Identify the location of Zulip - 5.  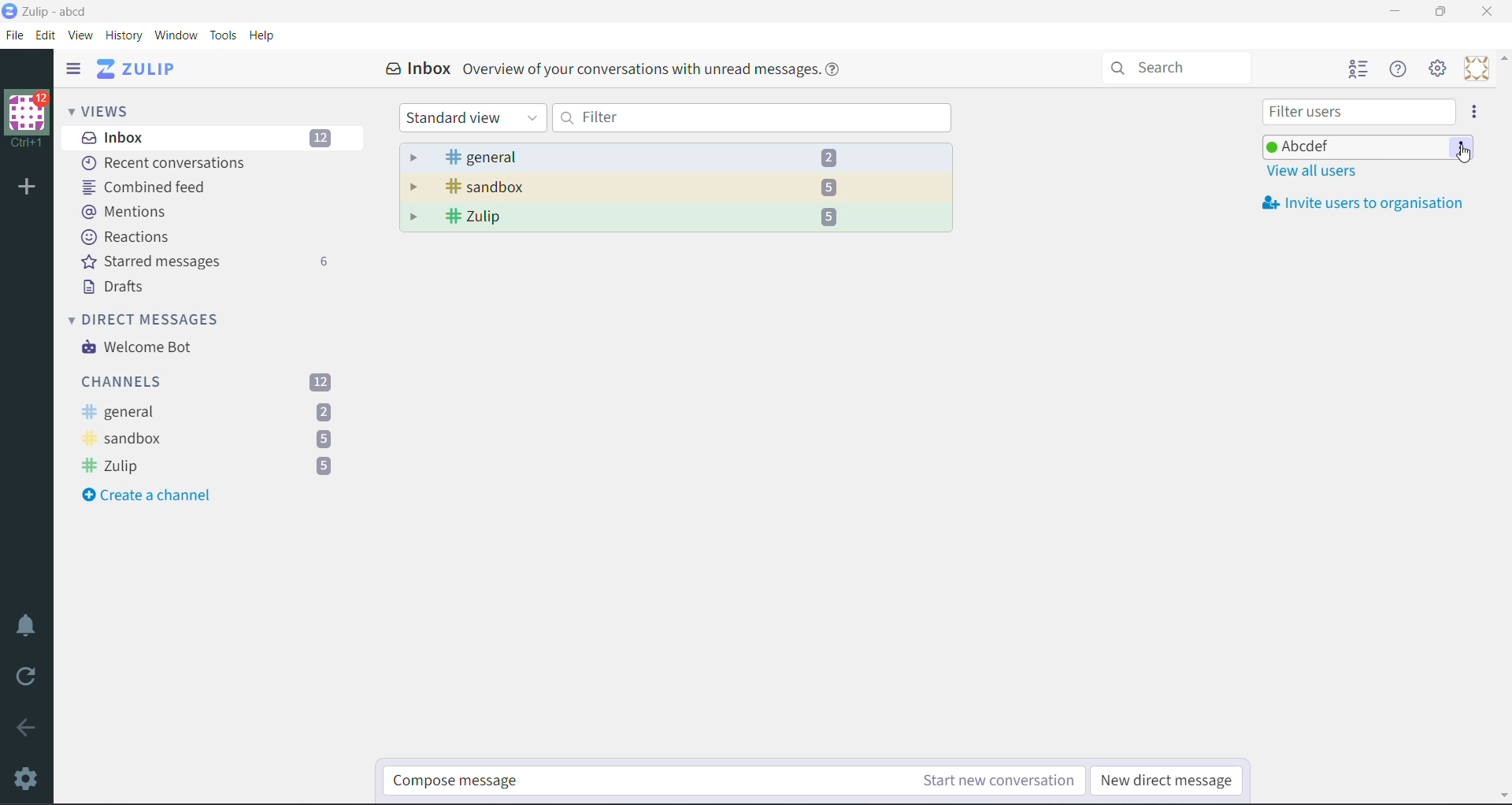
(677, 218).